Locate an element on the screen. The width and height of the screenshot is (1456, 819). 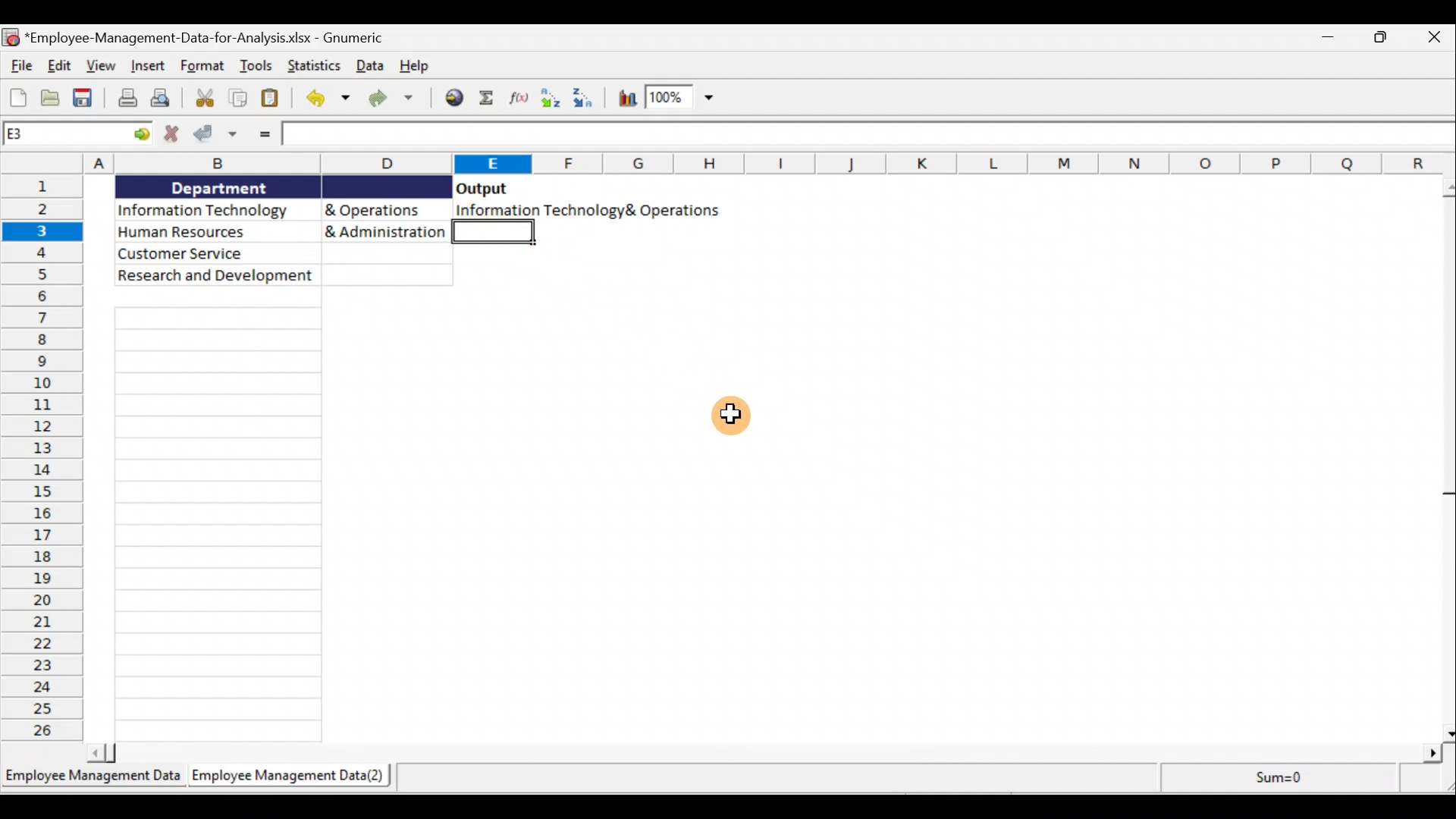
Copy the selection is located at coordinates (239, 99).